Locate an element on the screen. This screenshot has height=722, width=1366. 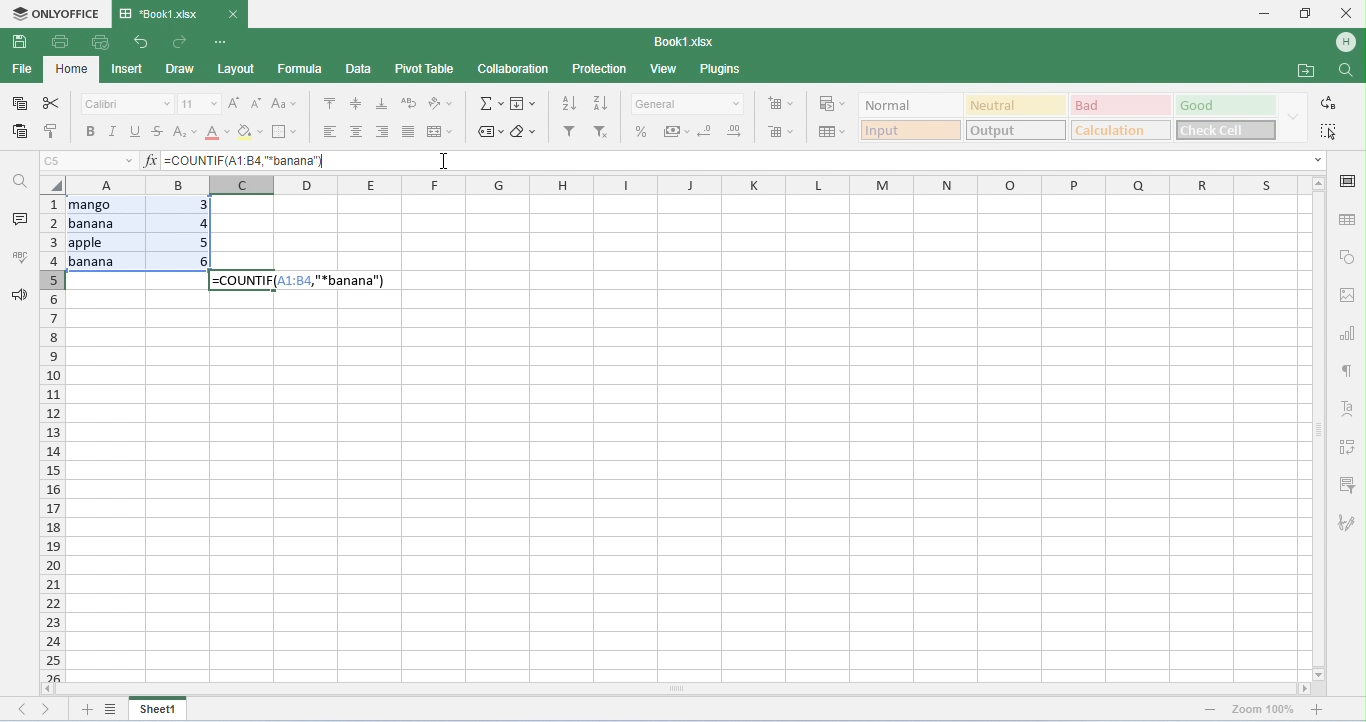
text settings is located at coordinates (1344, 408).